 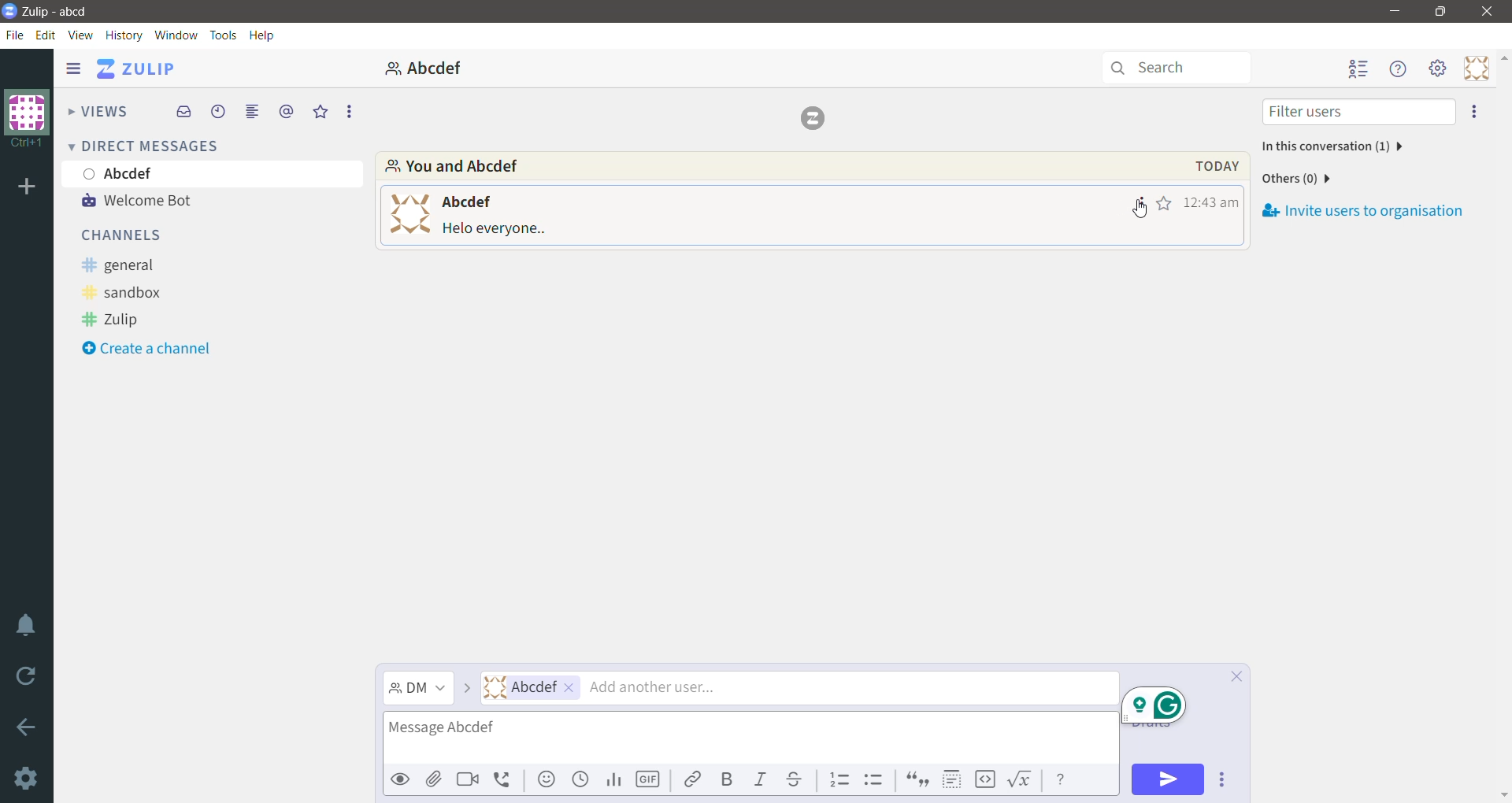 I want to click on Mentions, so click(x=286, y=111).